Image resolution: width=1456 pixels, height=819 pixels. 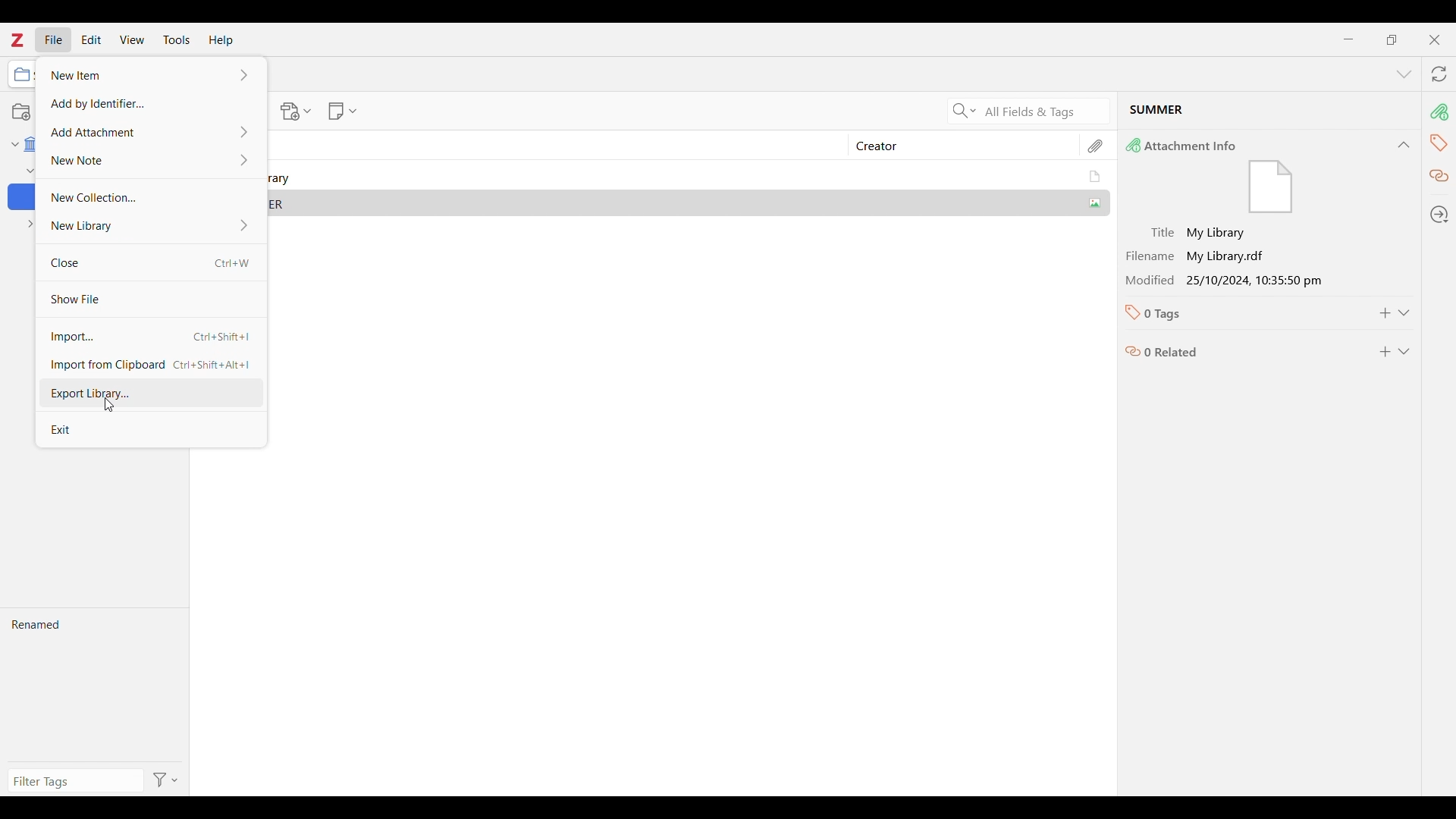 What do you see at coordinates (149, 337) in the screenshot?
I see `Import` at bounding box center [149, 337].